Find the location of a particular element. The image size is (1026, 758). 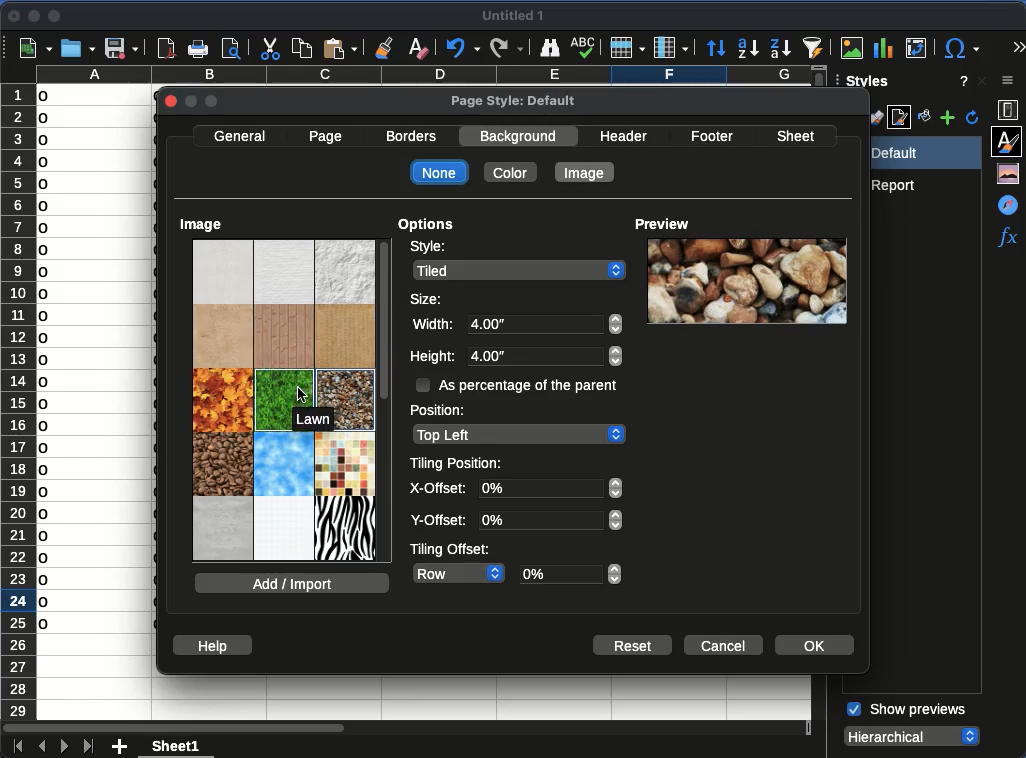

add style is located at coordinates (948, 119).